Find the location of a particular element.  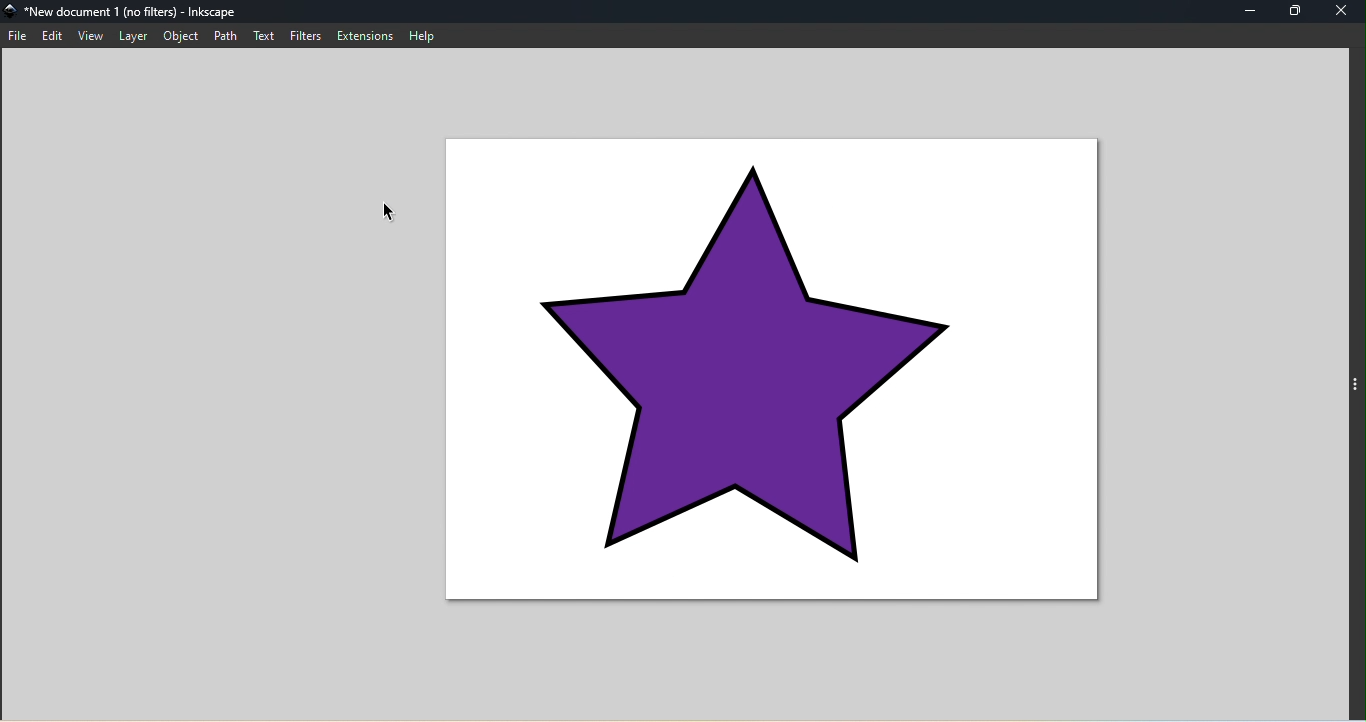

Edit is located at coordinates (50, 34).